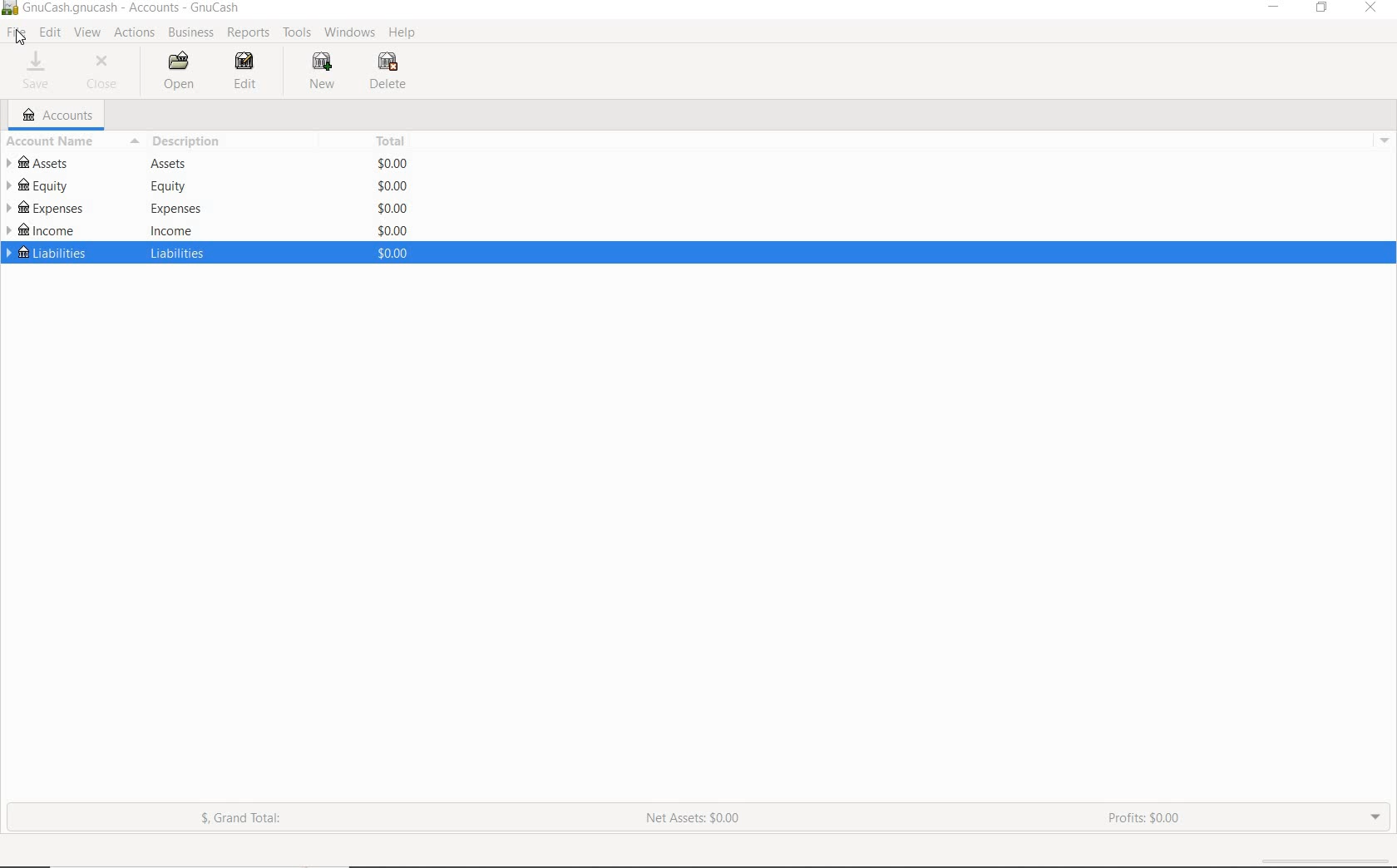  I want to click on BUSINESS, so click(190, 33).